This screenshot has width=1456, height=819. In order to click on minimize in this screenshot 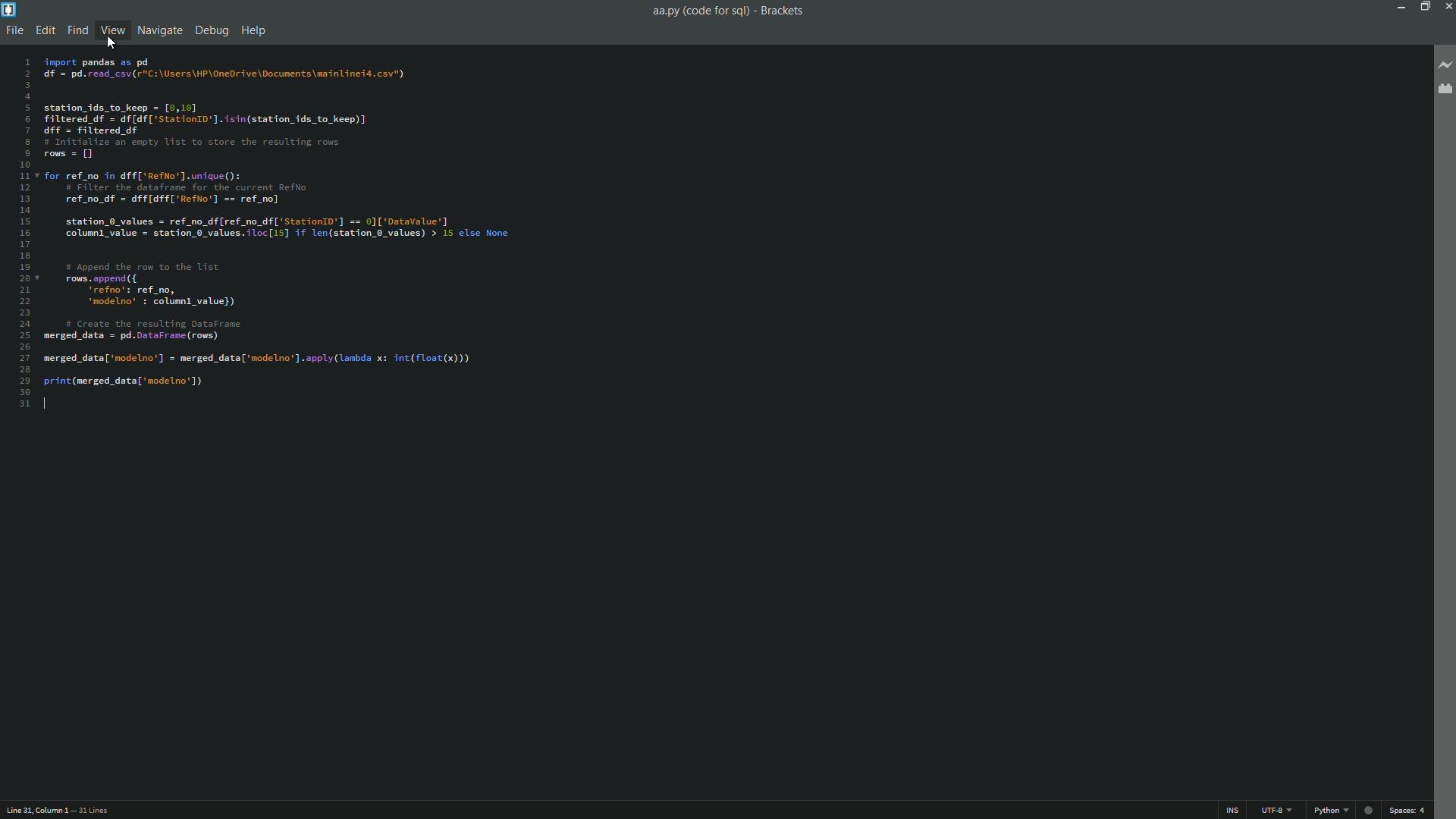, I will do `click(1400, 7)`.